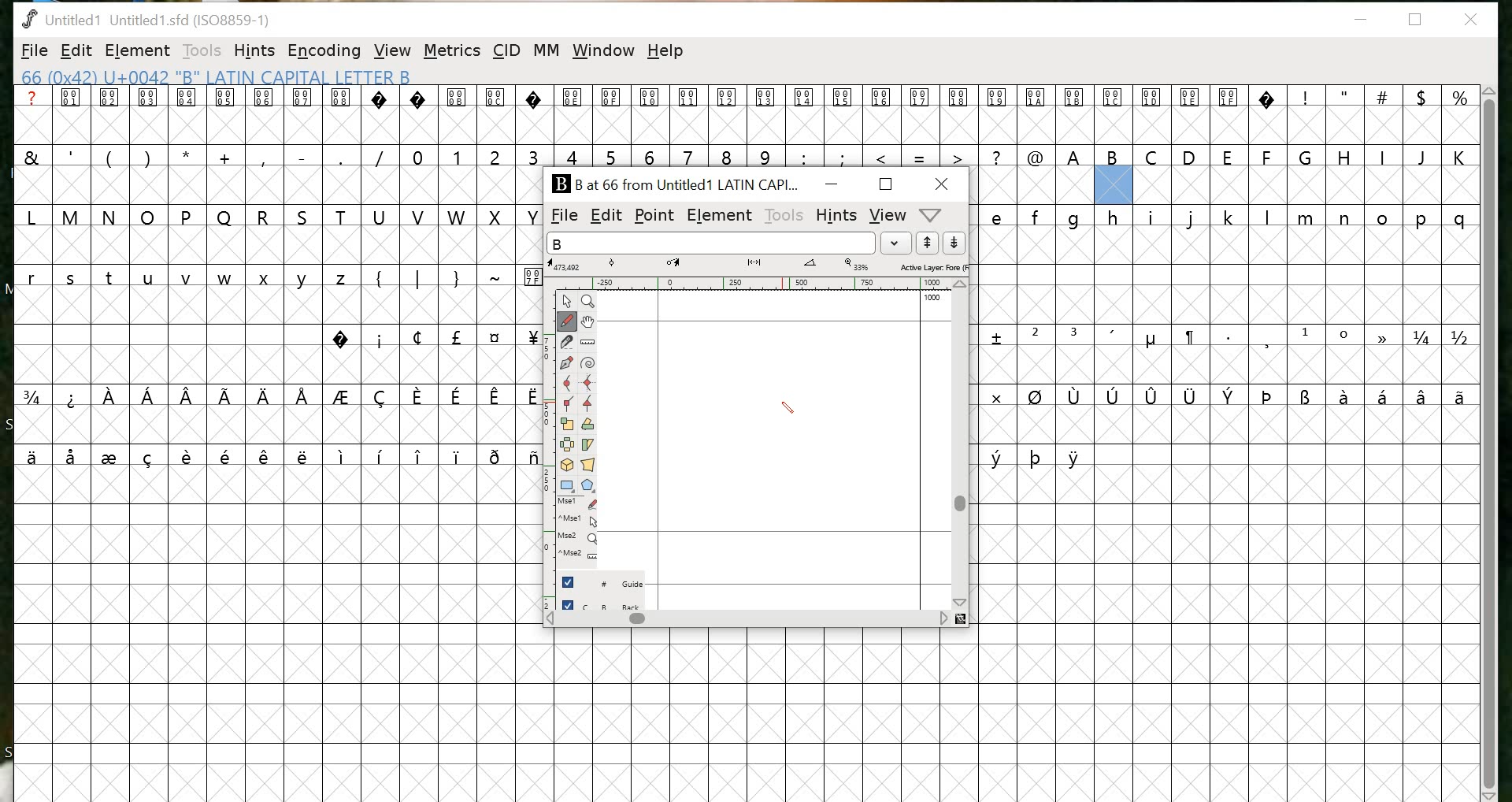 Image resolution: width=1512 pixels, height=802 pixels. Describe the element at coordinates (833, 184) in the screenshot. I see `MINIMIZE` at that location.